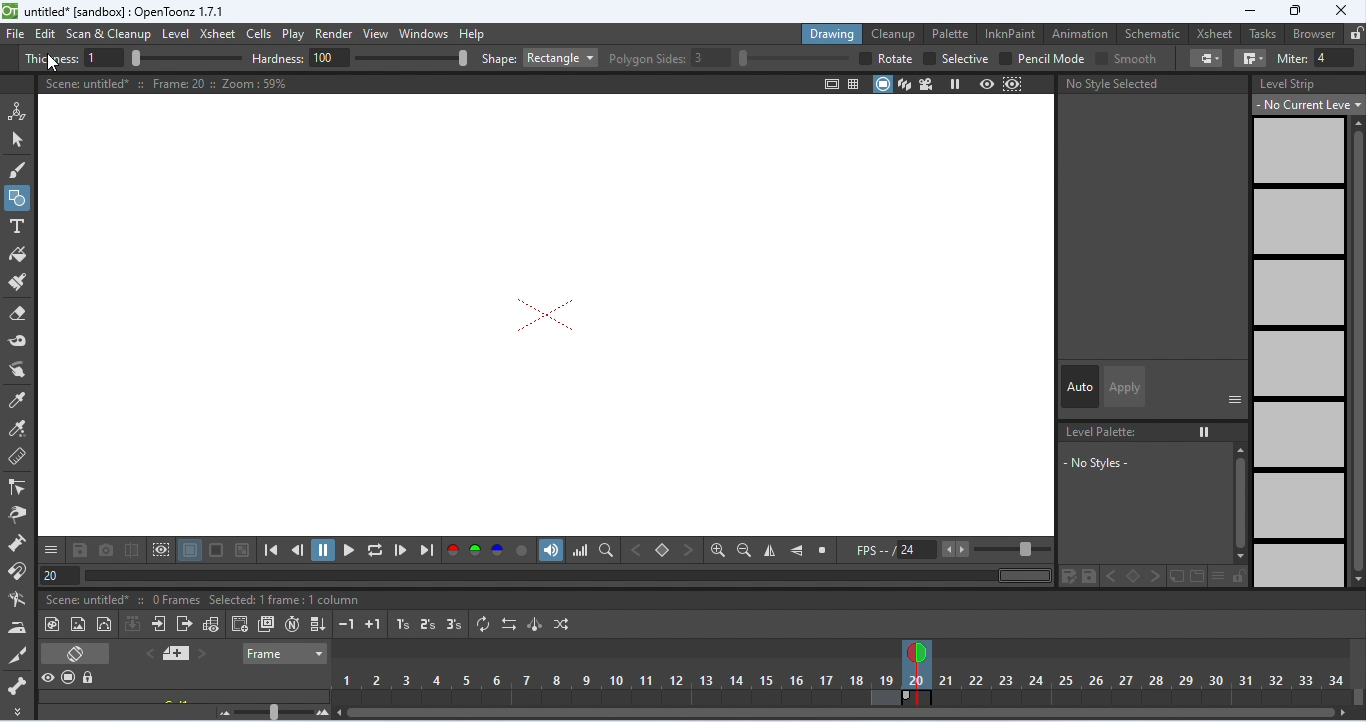  What do you see at coordinates (1264, 35) in the screenshot?
I see `tasks` at bounding box center [1264, 35].